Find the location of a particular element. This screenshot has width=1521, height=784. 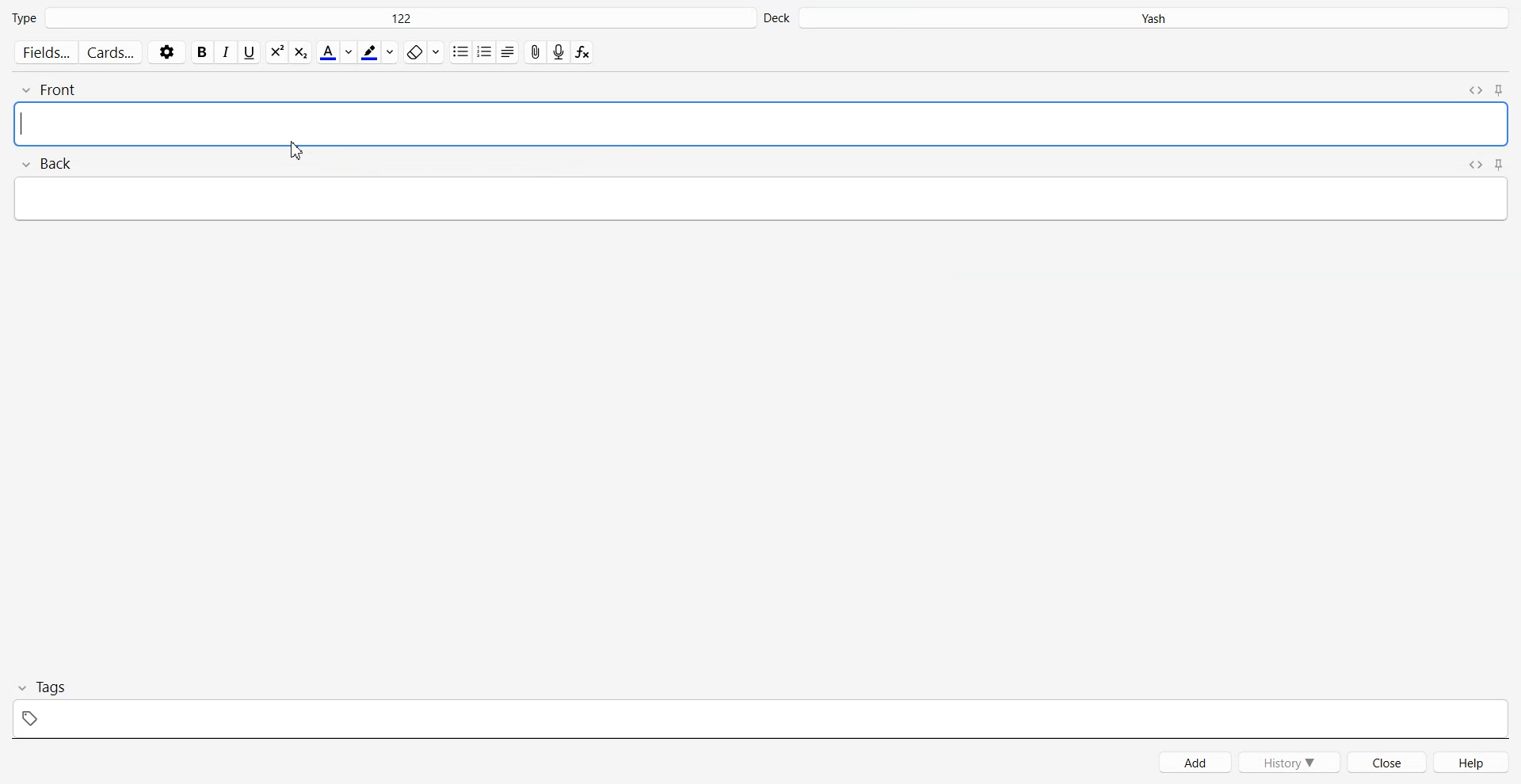

cursor is located at coordinates (296, 150).